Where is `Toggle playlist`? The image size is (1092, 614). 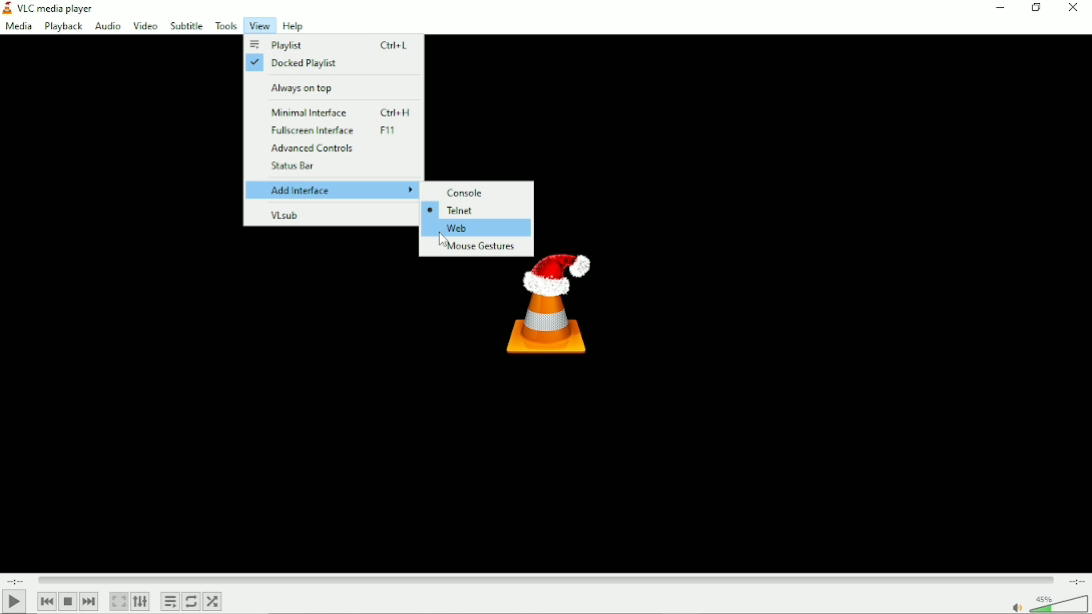
Toggle playlist is located at coordinates (169, 602).